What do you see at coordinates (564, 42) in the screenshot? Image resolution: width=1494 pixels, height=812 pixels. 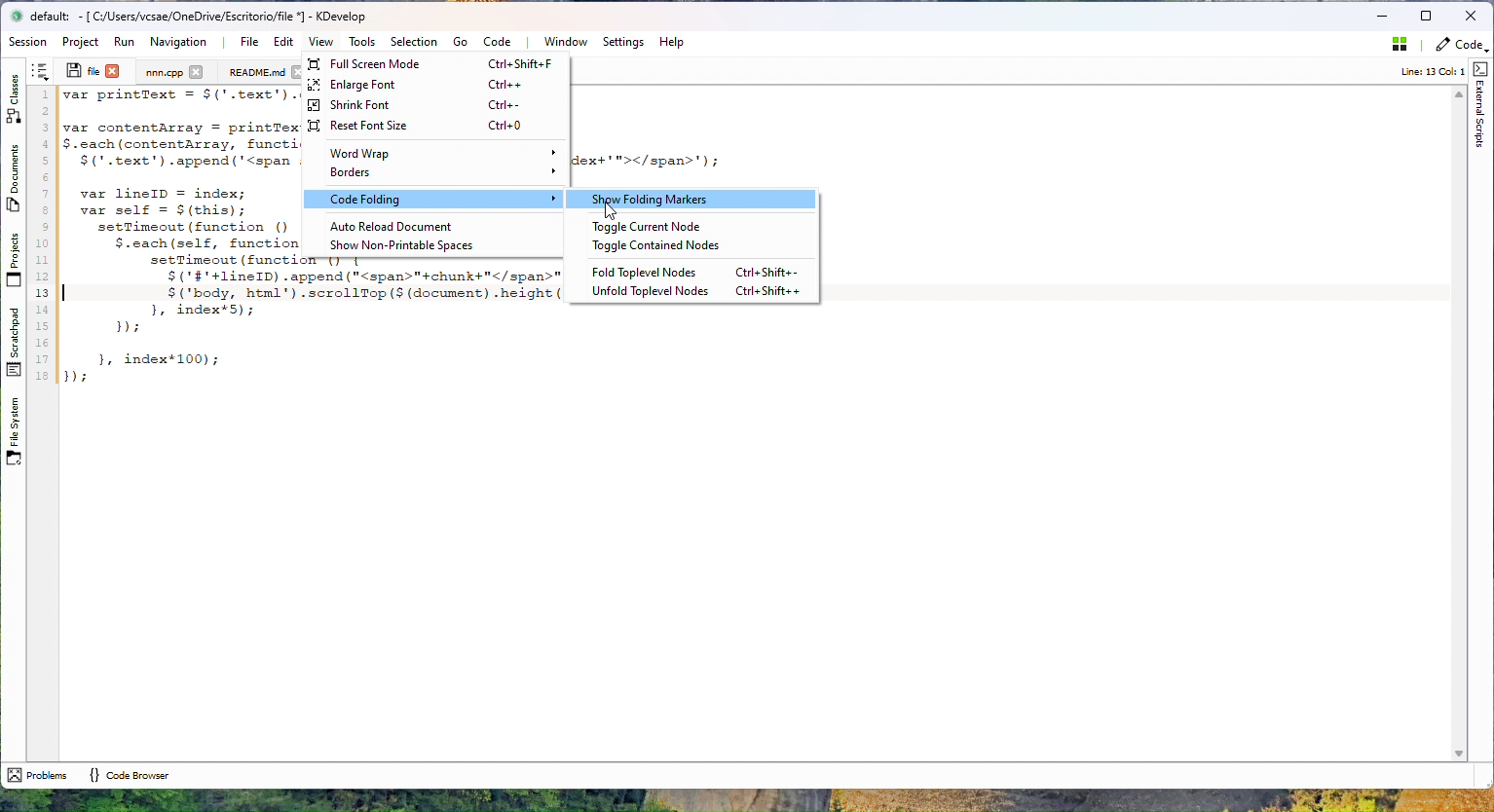 I see `Window` at bounding box center [564, 42].